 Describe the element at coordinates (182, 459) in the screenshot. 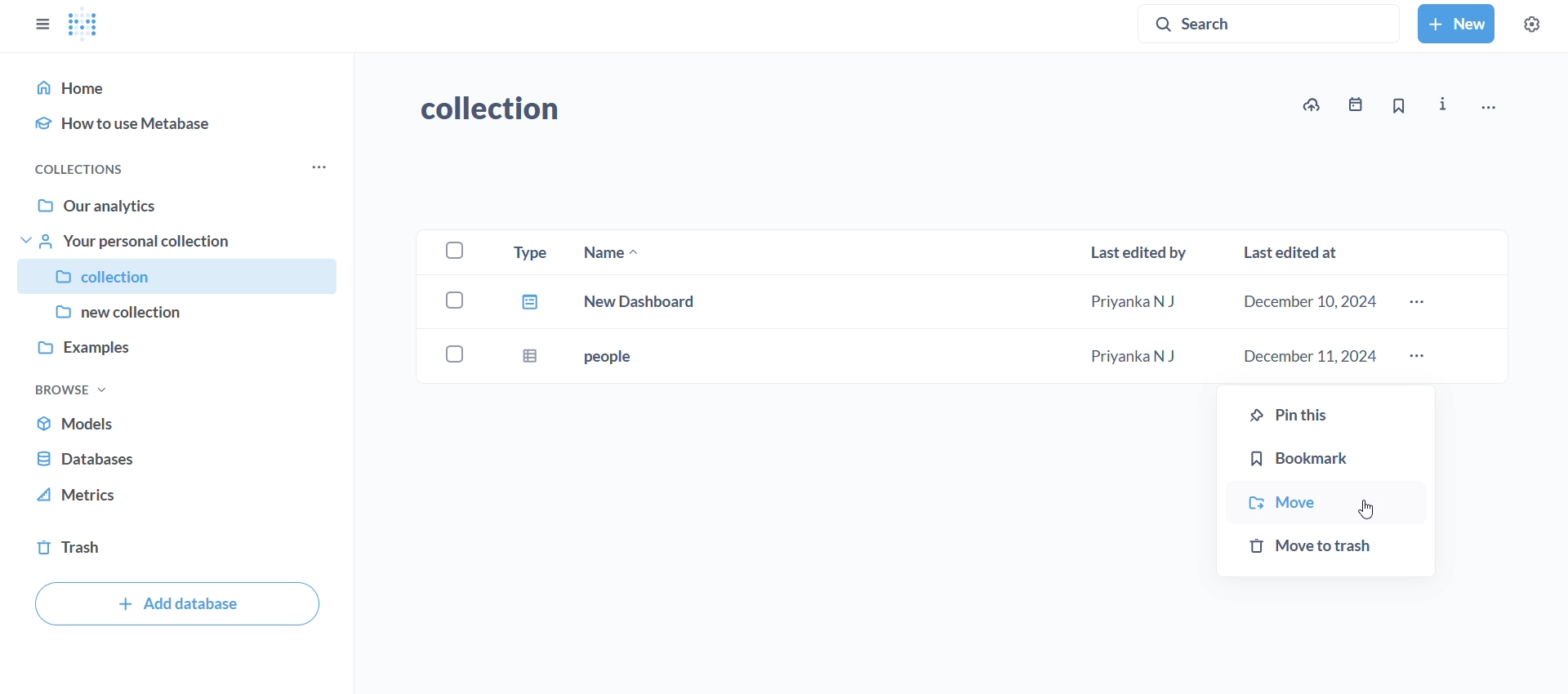

I see `database` at that location.